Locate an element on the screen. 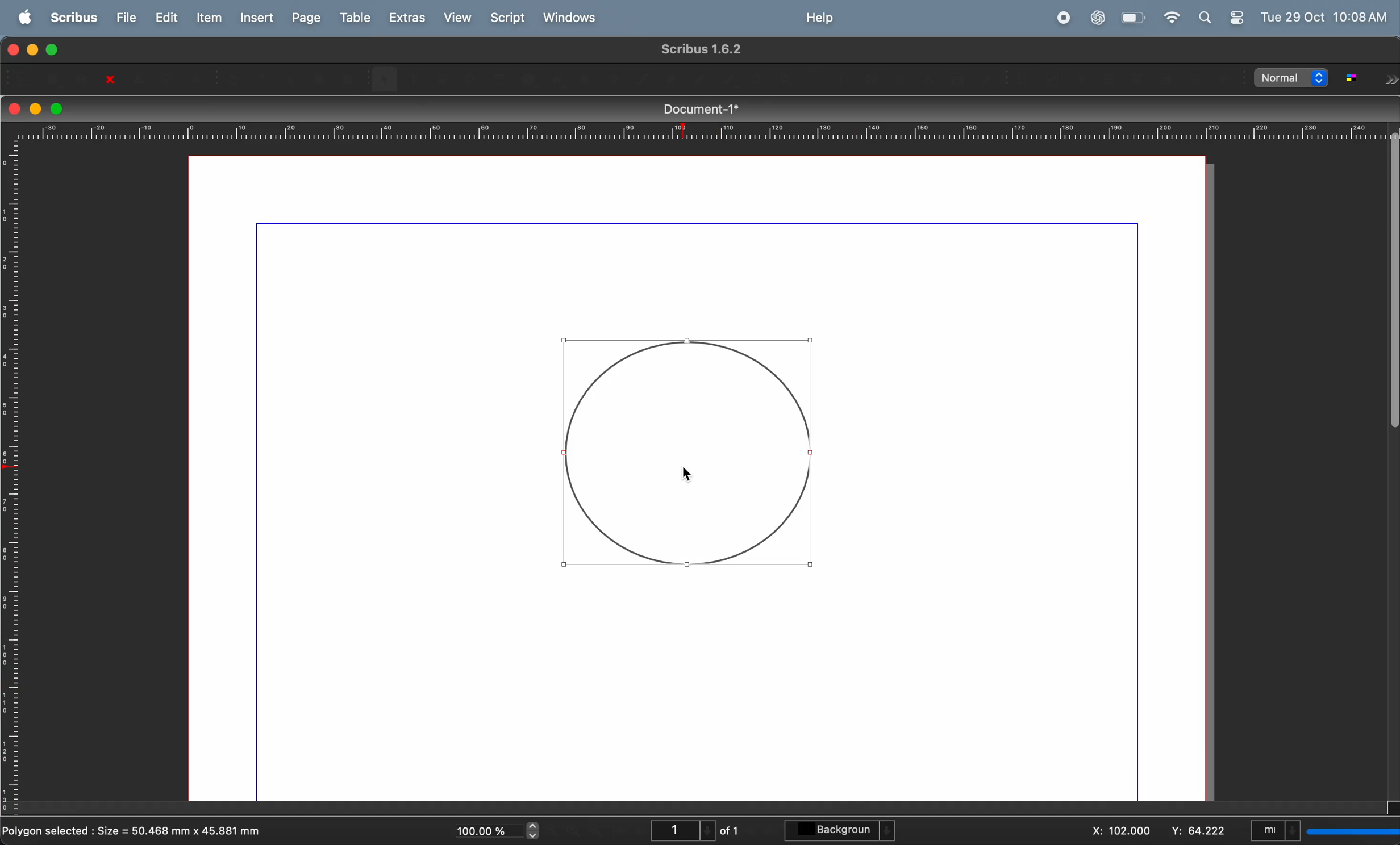  Cursor is located at coordinates (688, 476).